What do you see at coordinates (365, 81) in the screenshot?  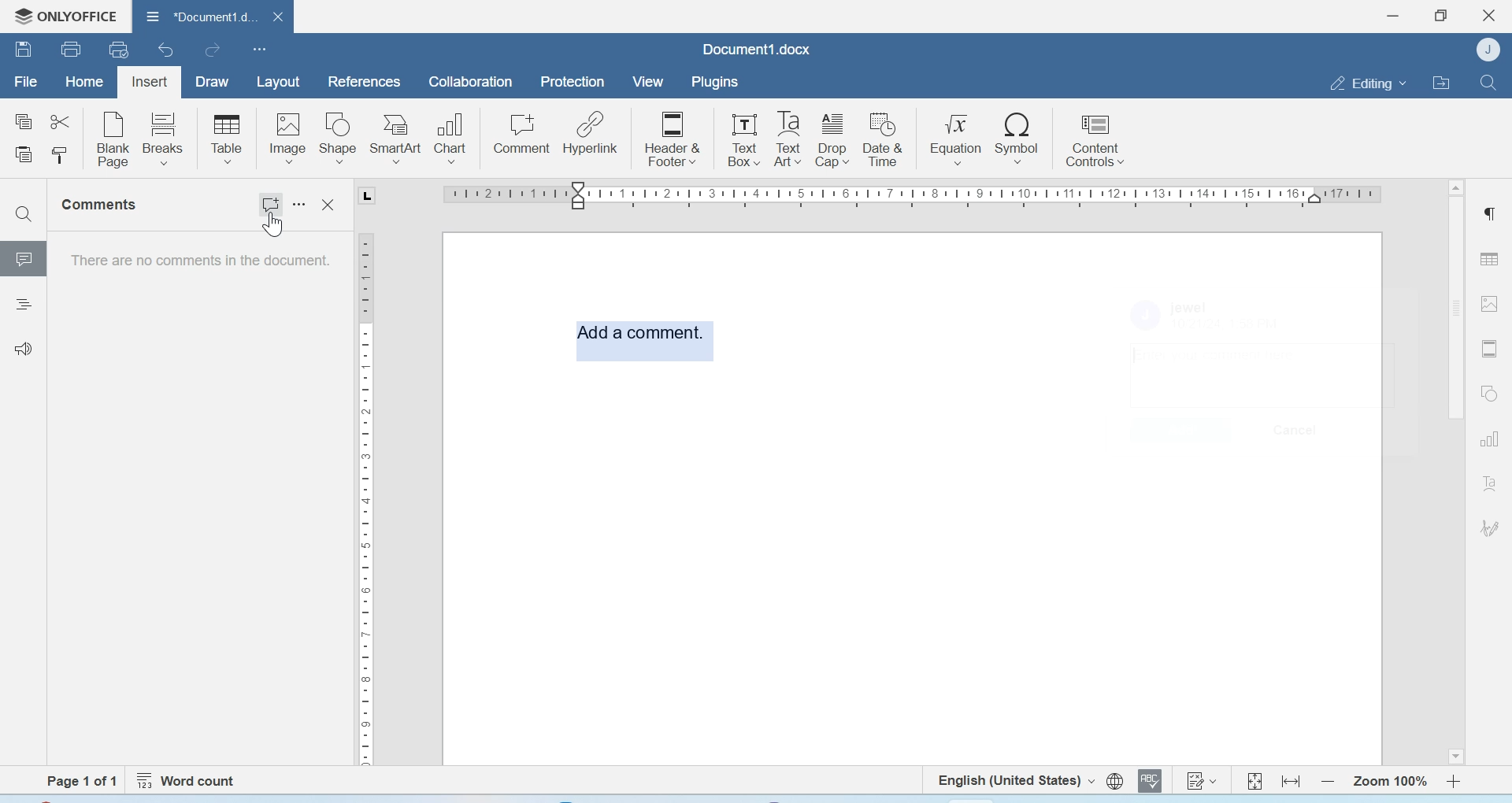 I see `References` at bounding box center [365, 81].